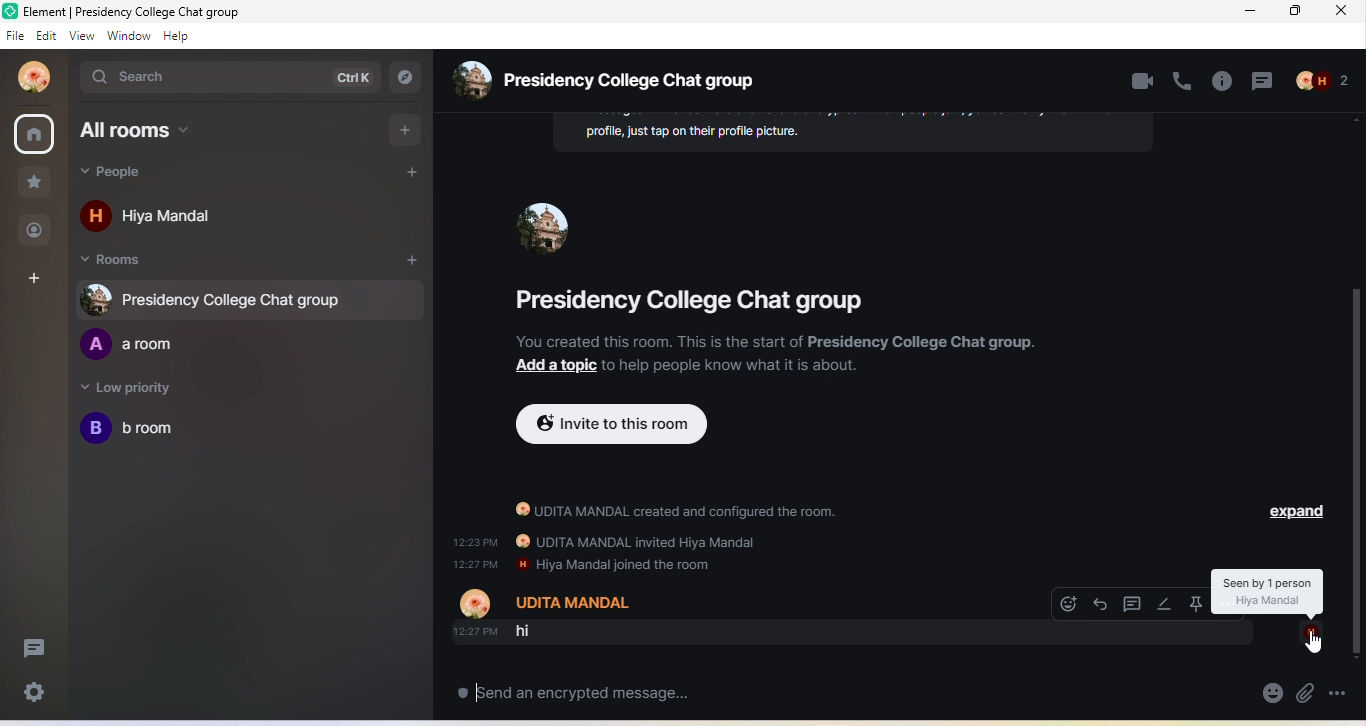 This screenshot has height=726, width=1366. What do you see at coordinates (1269, 693) in the screenshot?
I see `emoji` at bounding box center [1269, 693].